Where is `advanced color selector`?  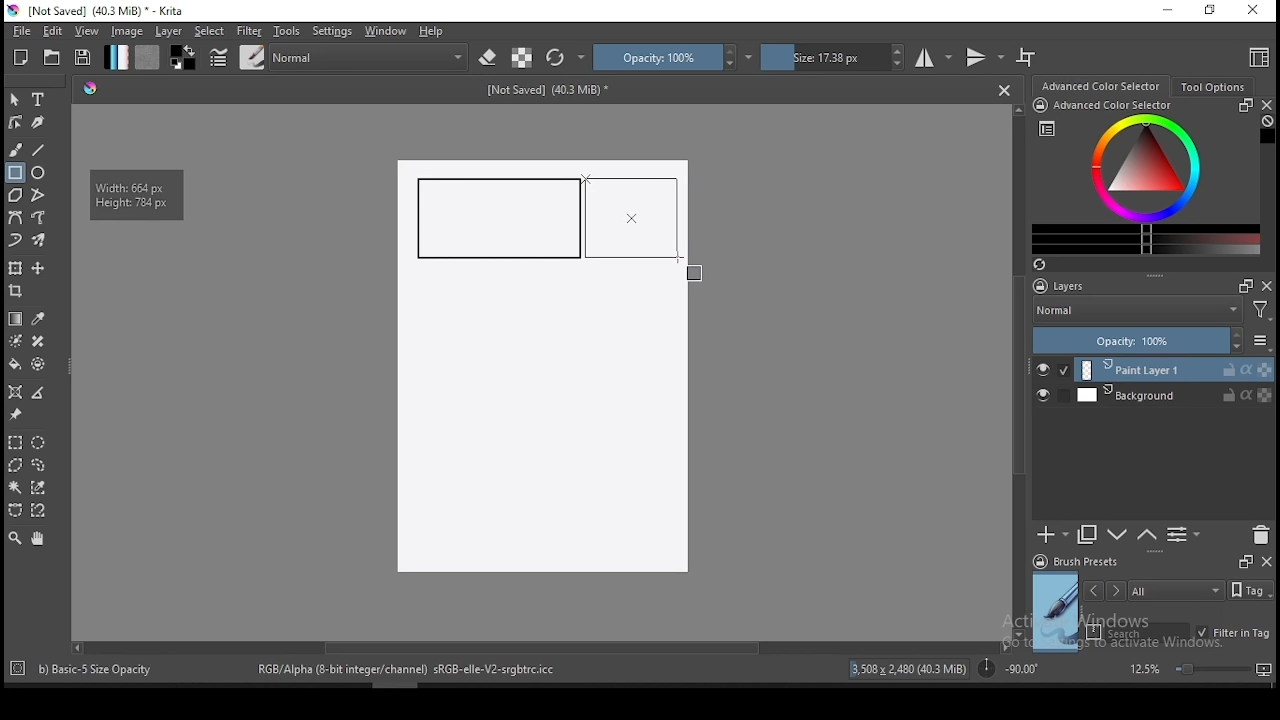 advanced color selector is located at coordinates (1142, 176).